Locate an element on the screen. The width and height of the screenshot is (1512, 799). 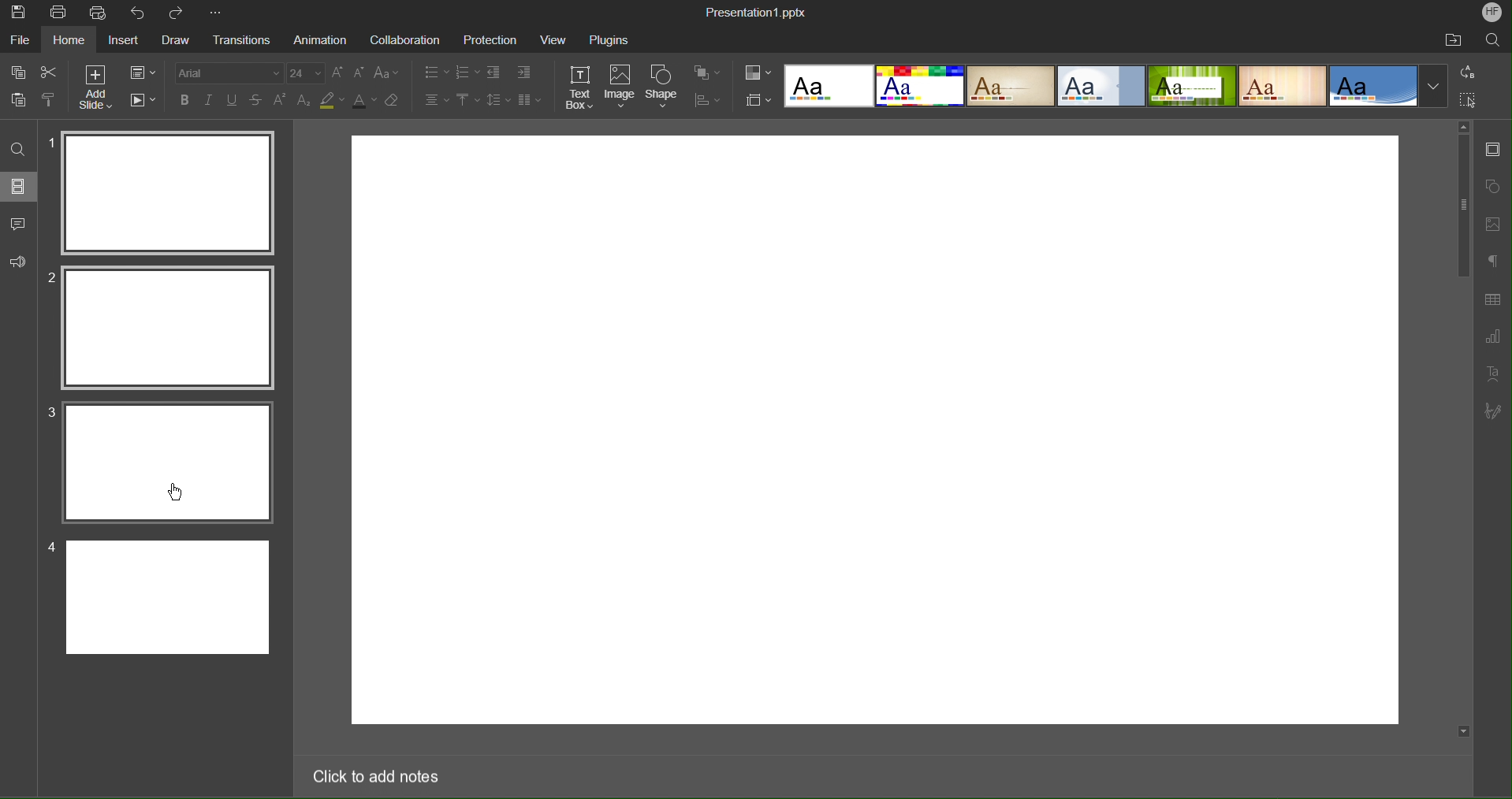
Distribute is located at coordinates (706, 98).